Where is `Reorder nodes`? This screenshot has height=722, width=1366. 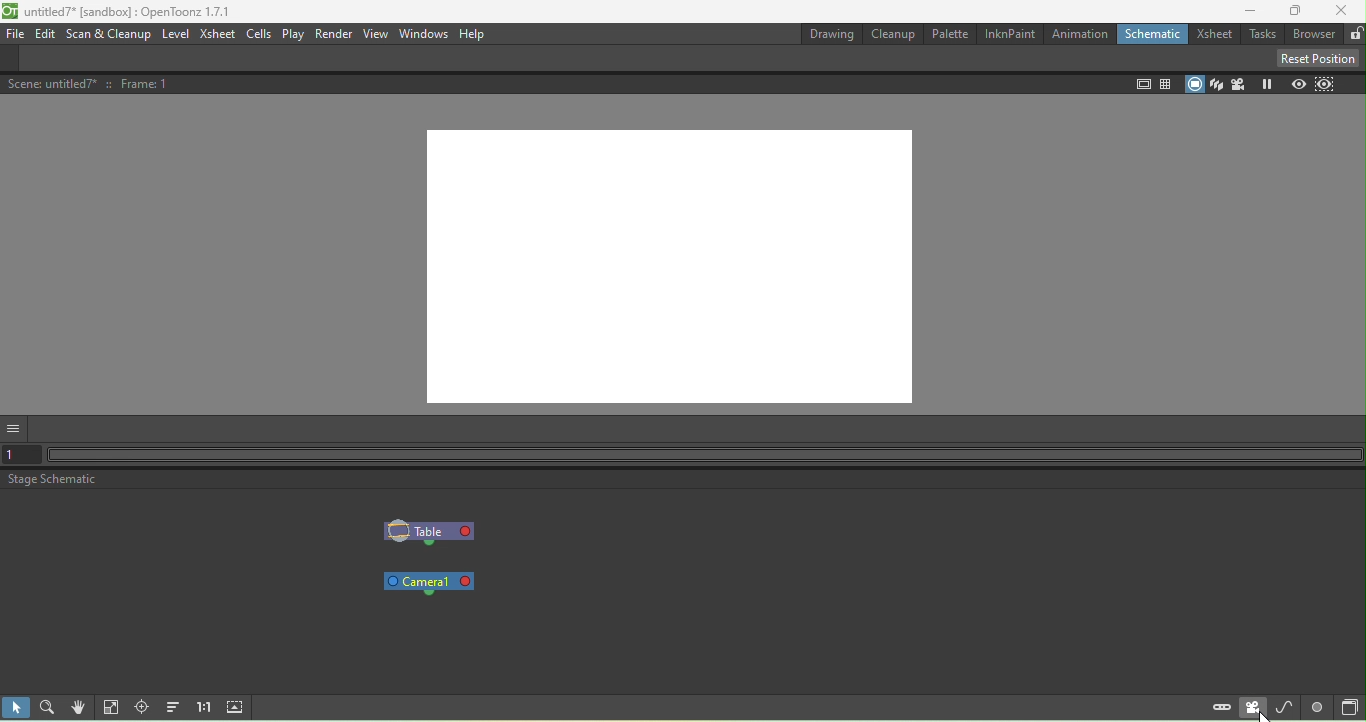 Reorder nodes is located at coordinates (175, 707).